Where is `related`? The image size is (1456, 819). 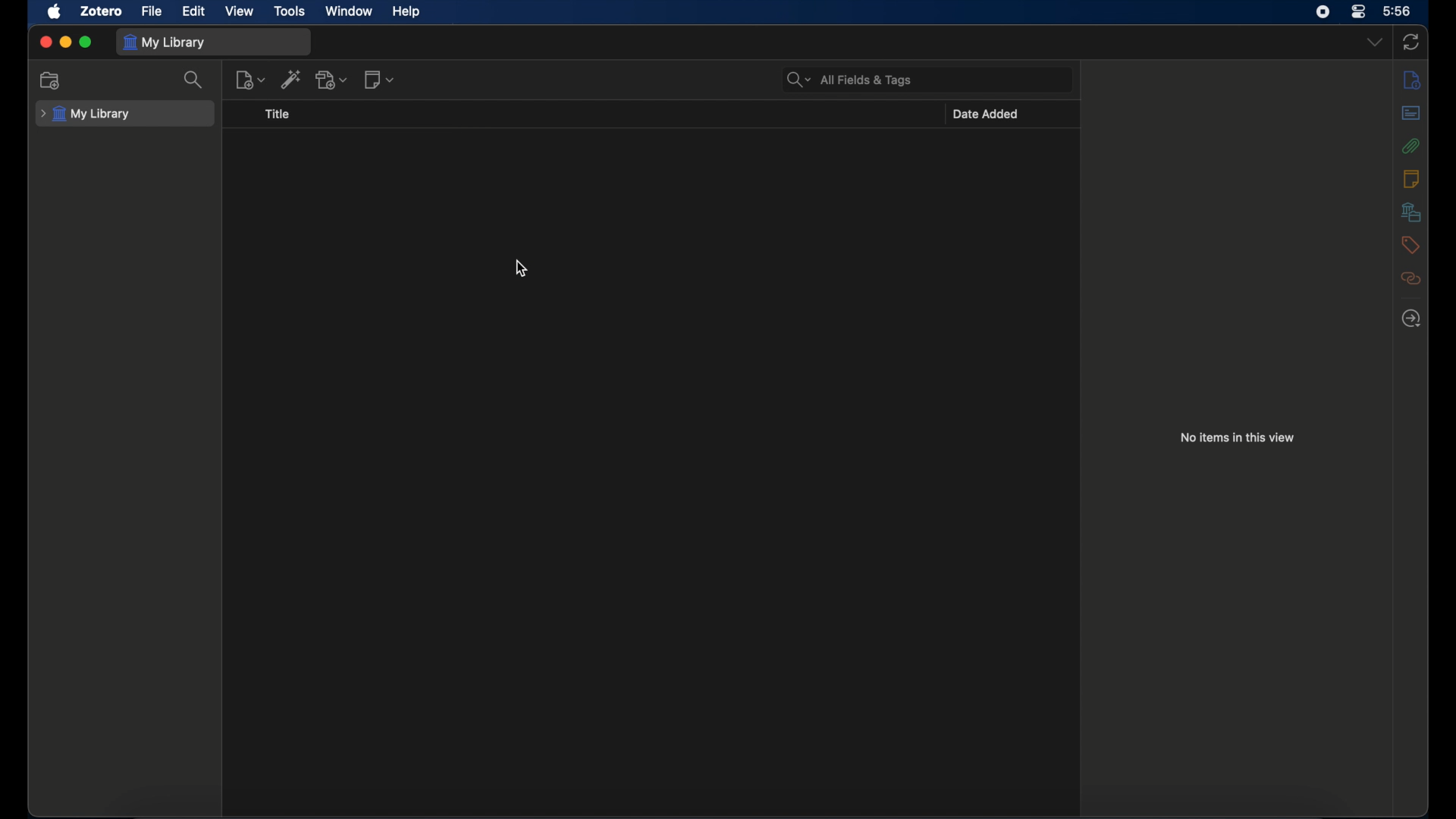
related is located at coordinates (1410, 278).